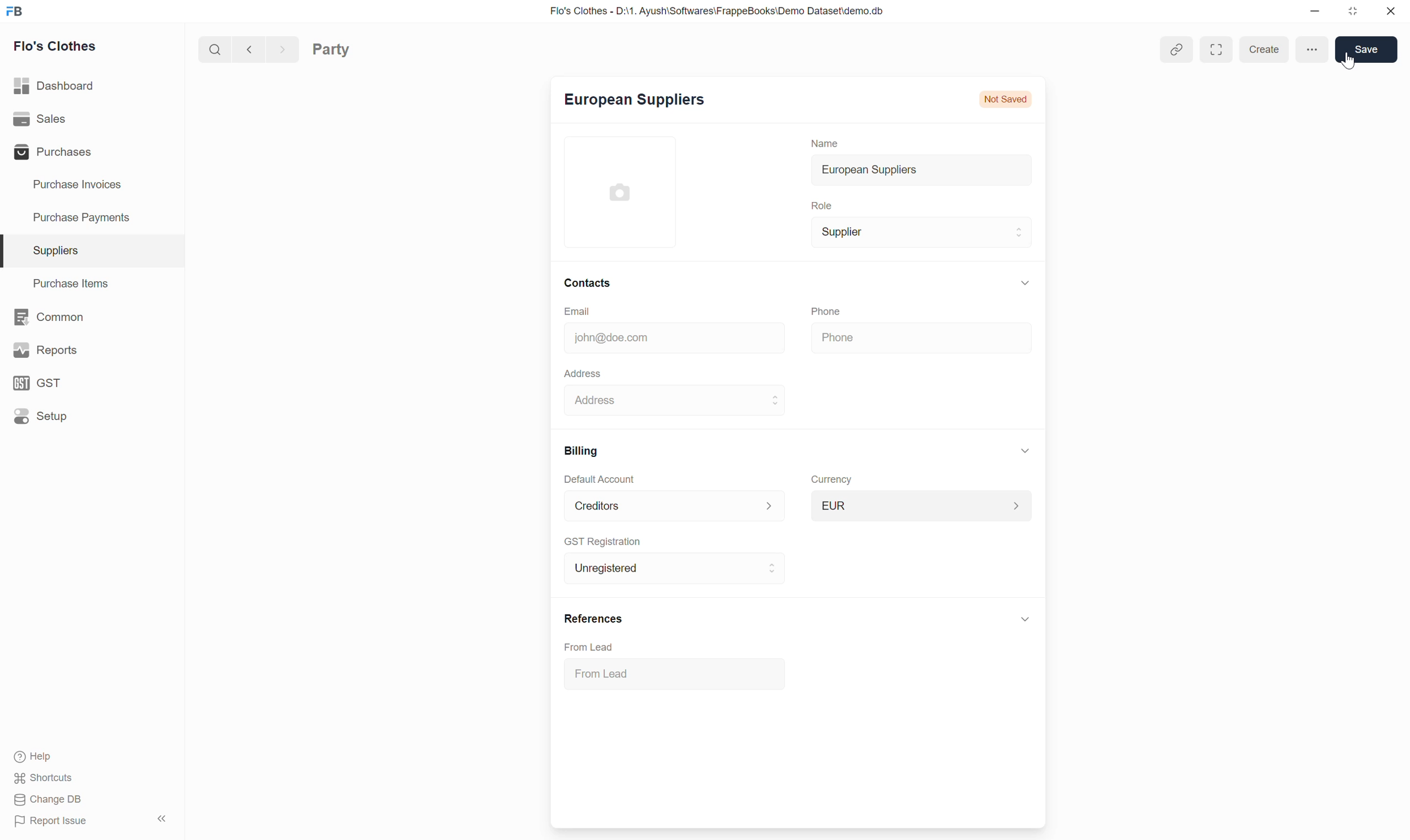 The height and width of the screenshot is (840, 1410). Describe the element at coordinates (589, 618) in the screenshot. I see `References` at that location.